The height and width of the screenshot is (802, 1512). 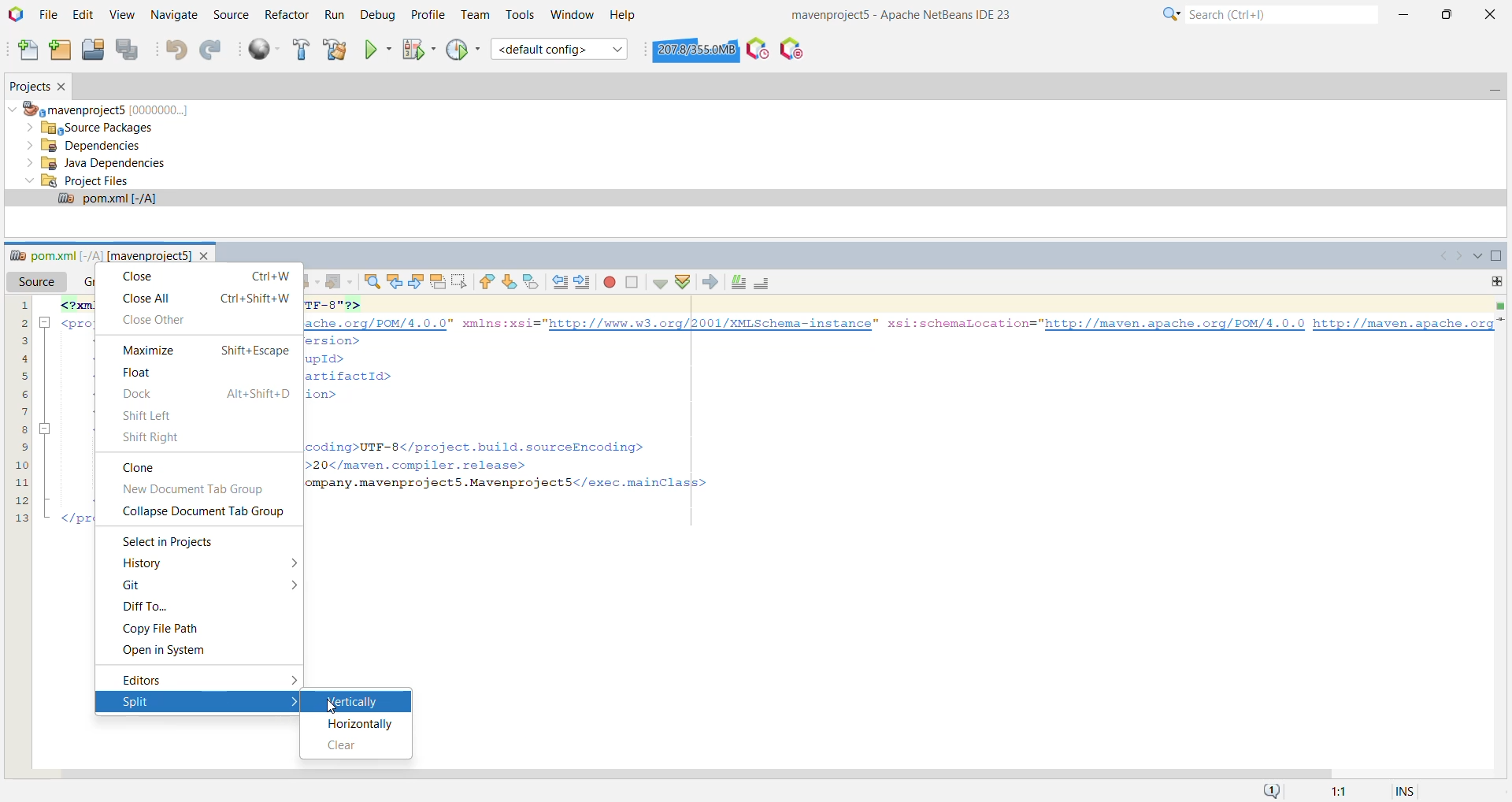 I want to click on Find Previous Occurrence, so click(x=395, y=283).